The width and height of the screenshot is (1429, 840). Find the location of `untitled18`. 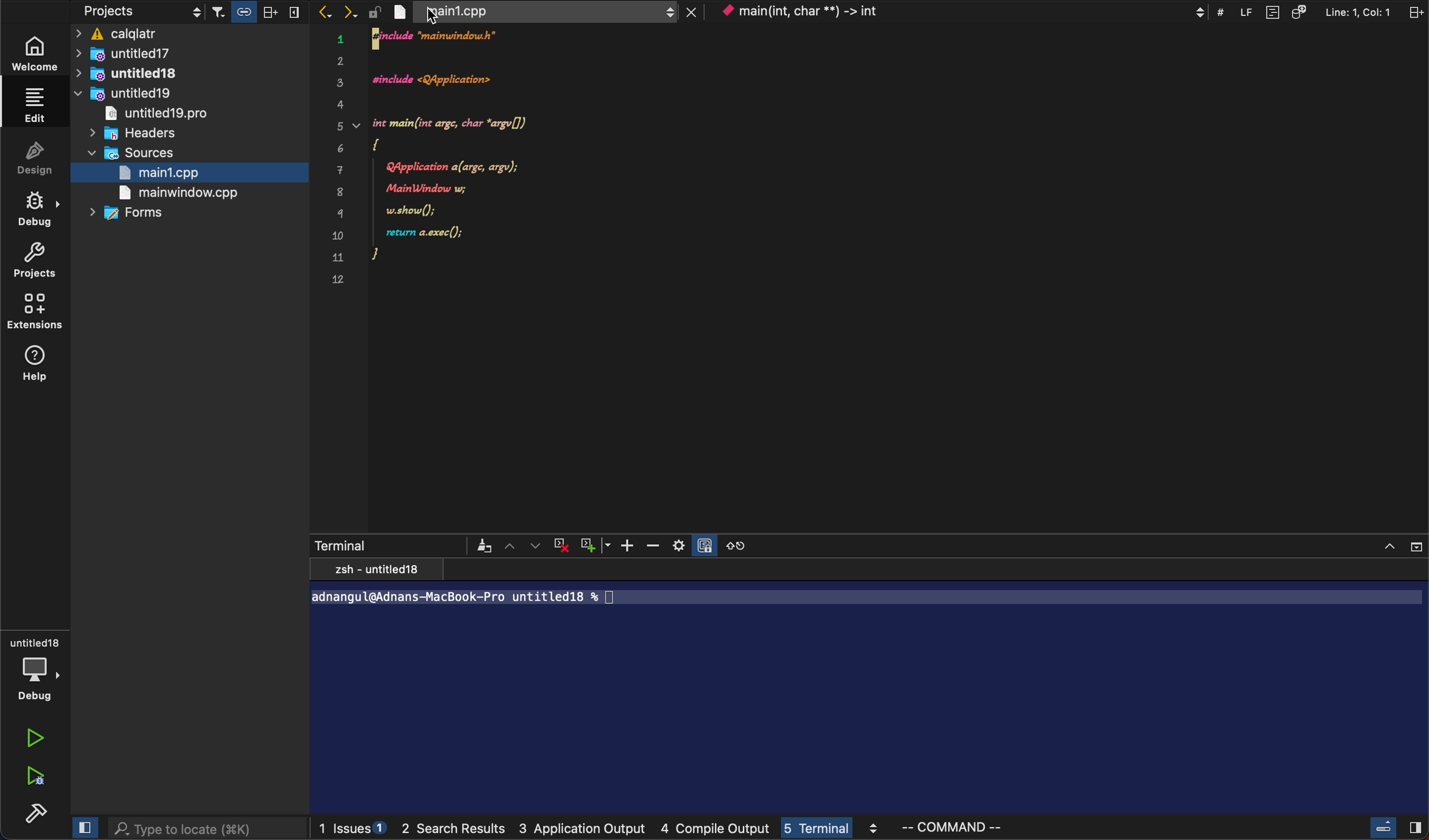

untitled18 is located at coordinates (131, 73).